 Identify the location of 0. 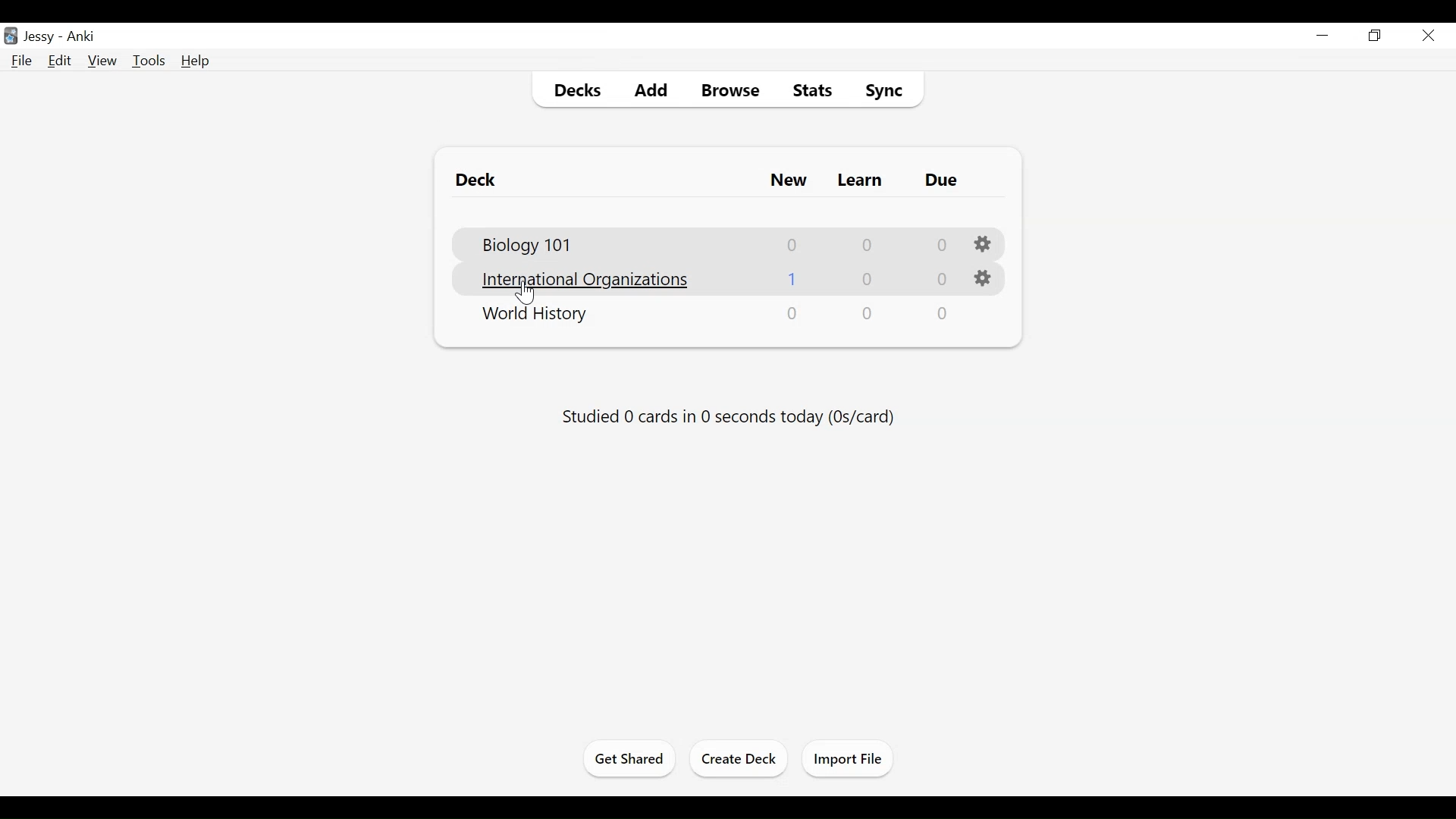
(943, 315).